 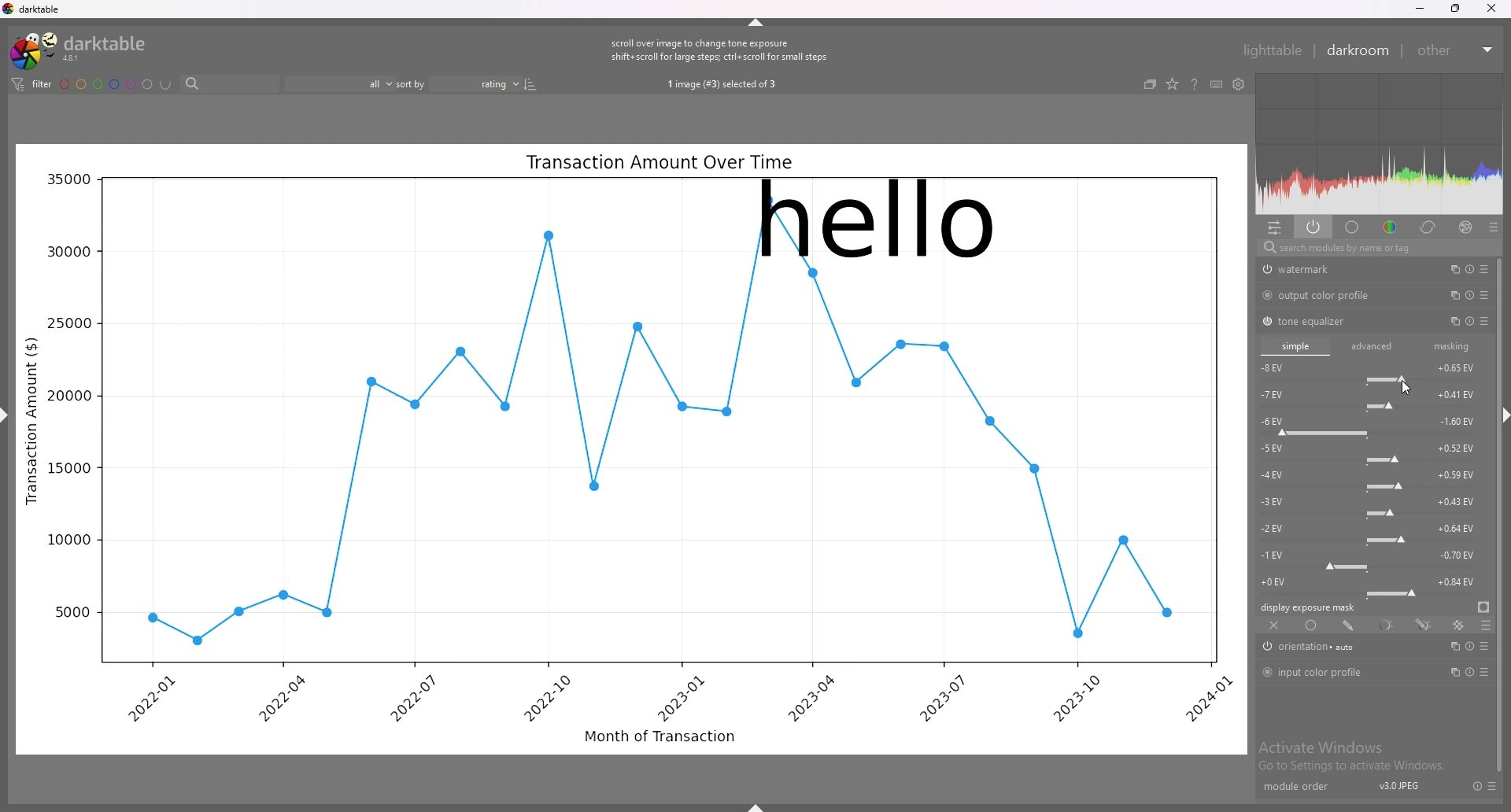 I want to click on quick access panel, so click(x=1275, y=228).